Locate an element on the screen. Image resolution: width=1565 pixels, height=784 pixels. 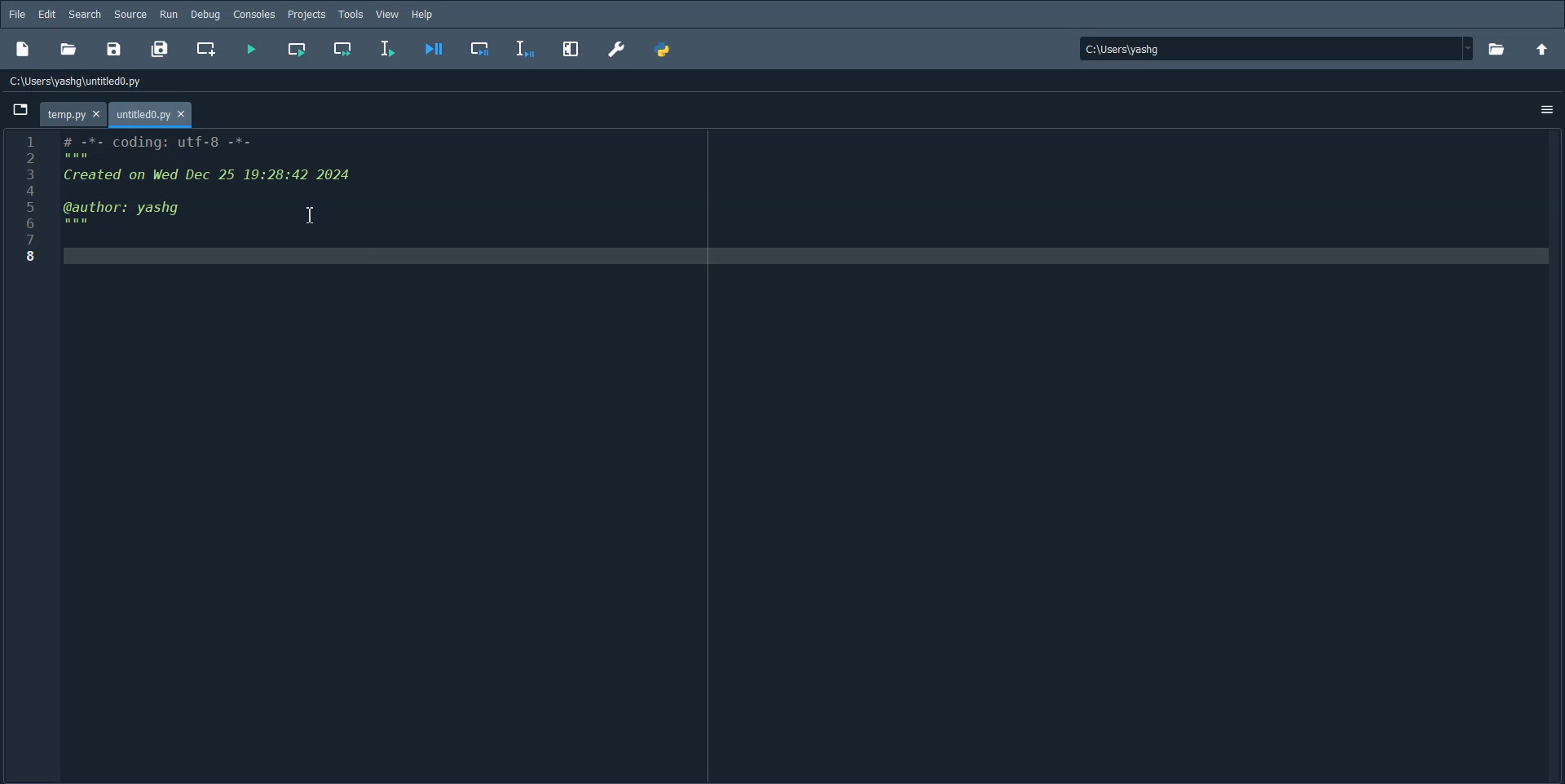
Help is located at coordinates (423, 13).